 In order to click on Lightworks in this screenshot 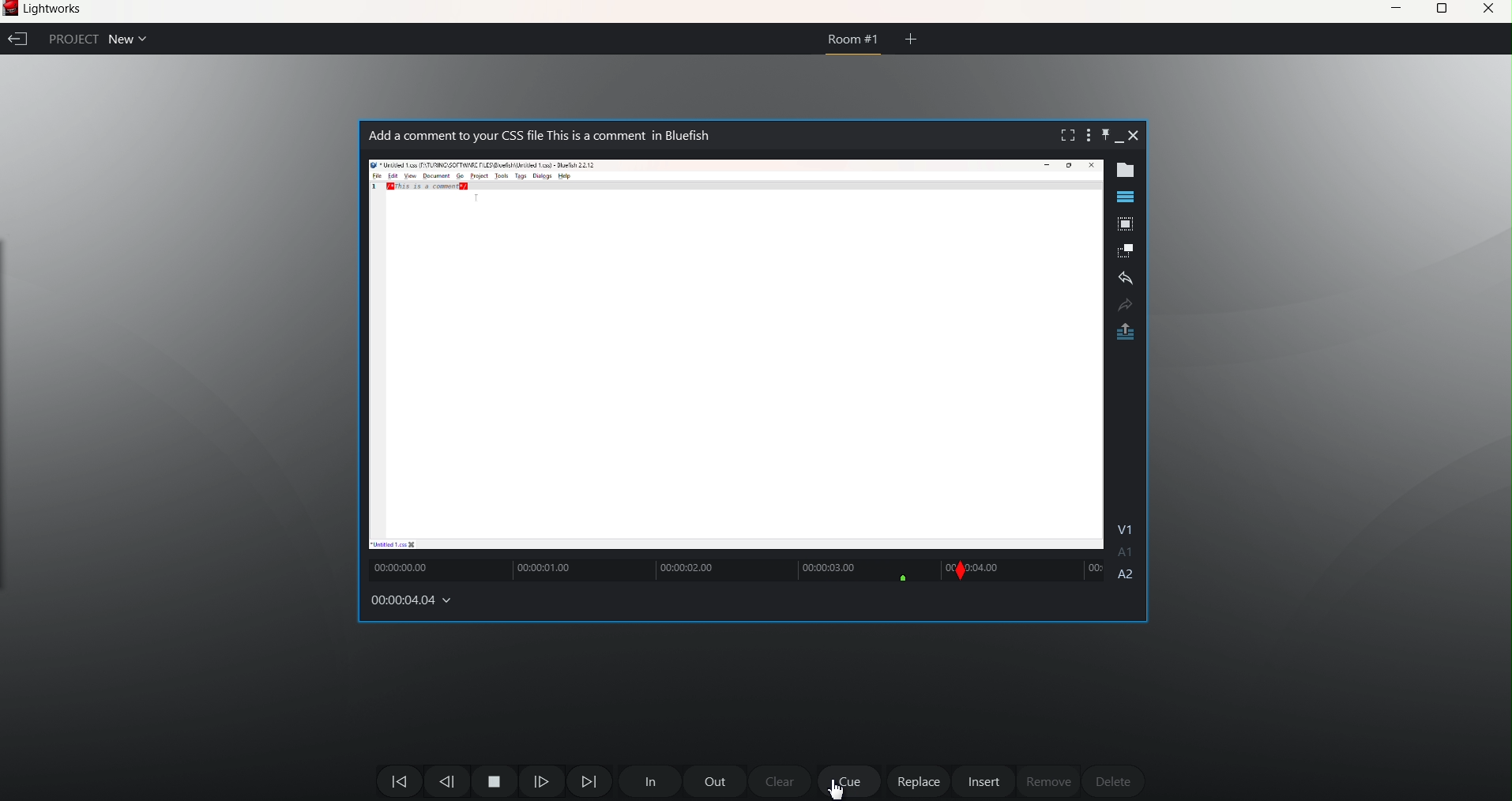, I will do `click(61, 11)`.